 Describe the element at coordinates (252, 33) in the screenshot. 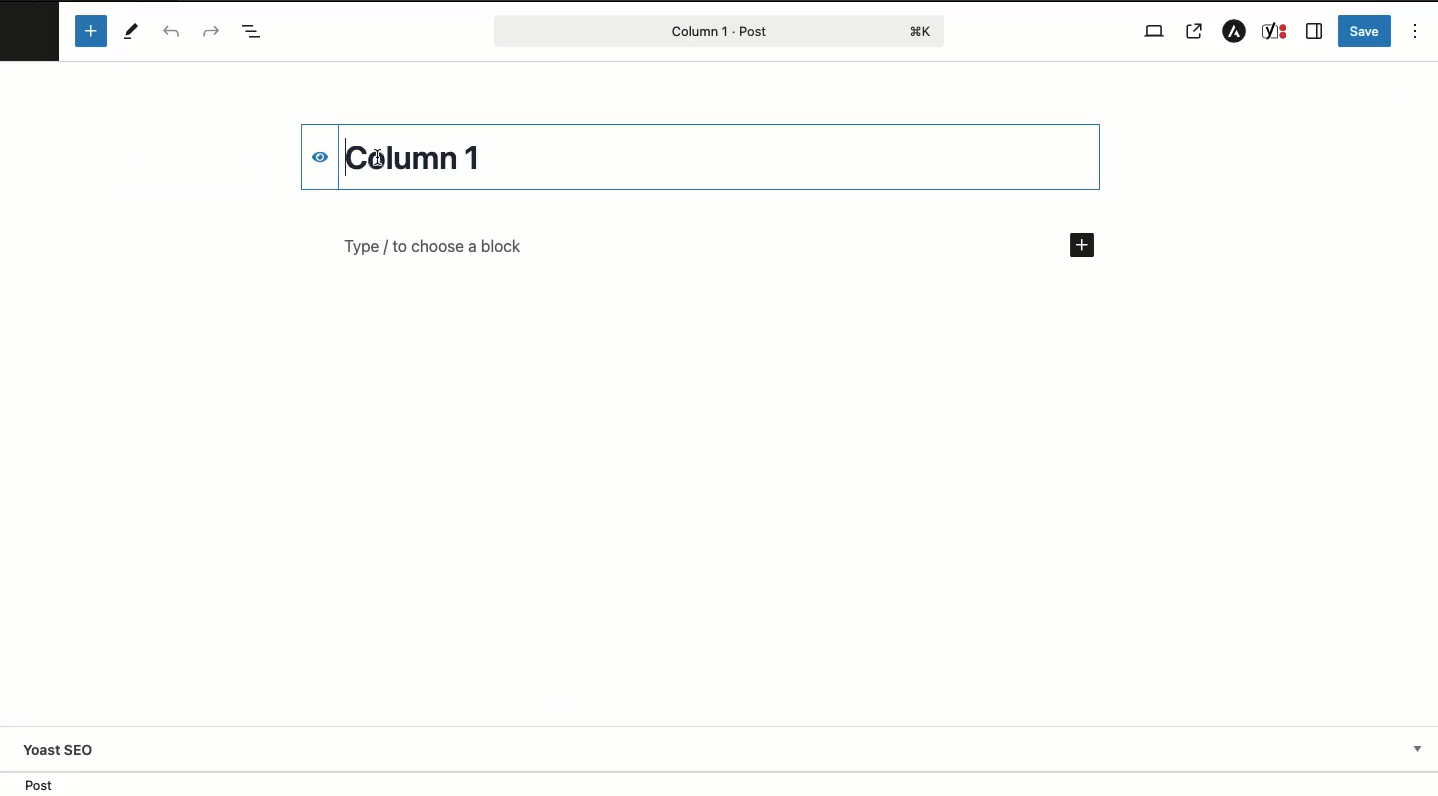

I see `Document overview` at that location.